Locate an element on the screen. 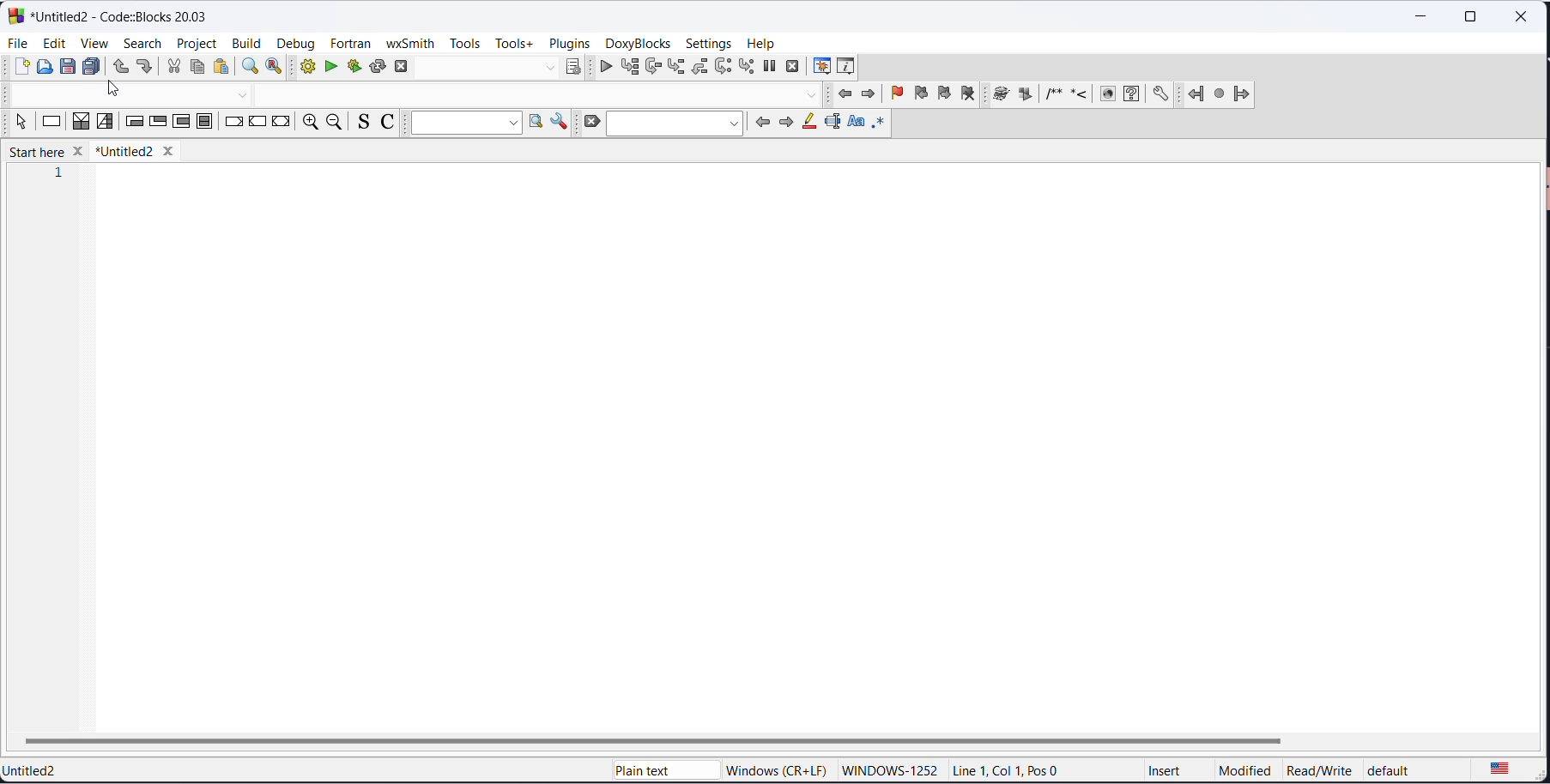 The width and height of the screenshot is (1550, 784). plugins is located at coordinates (569, 43).